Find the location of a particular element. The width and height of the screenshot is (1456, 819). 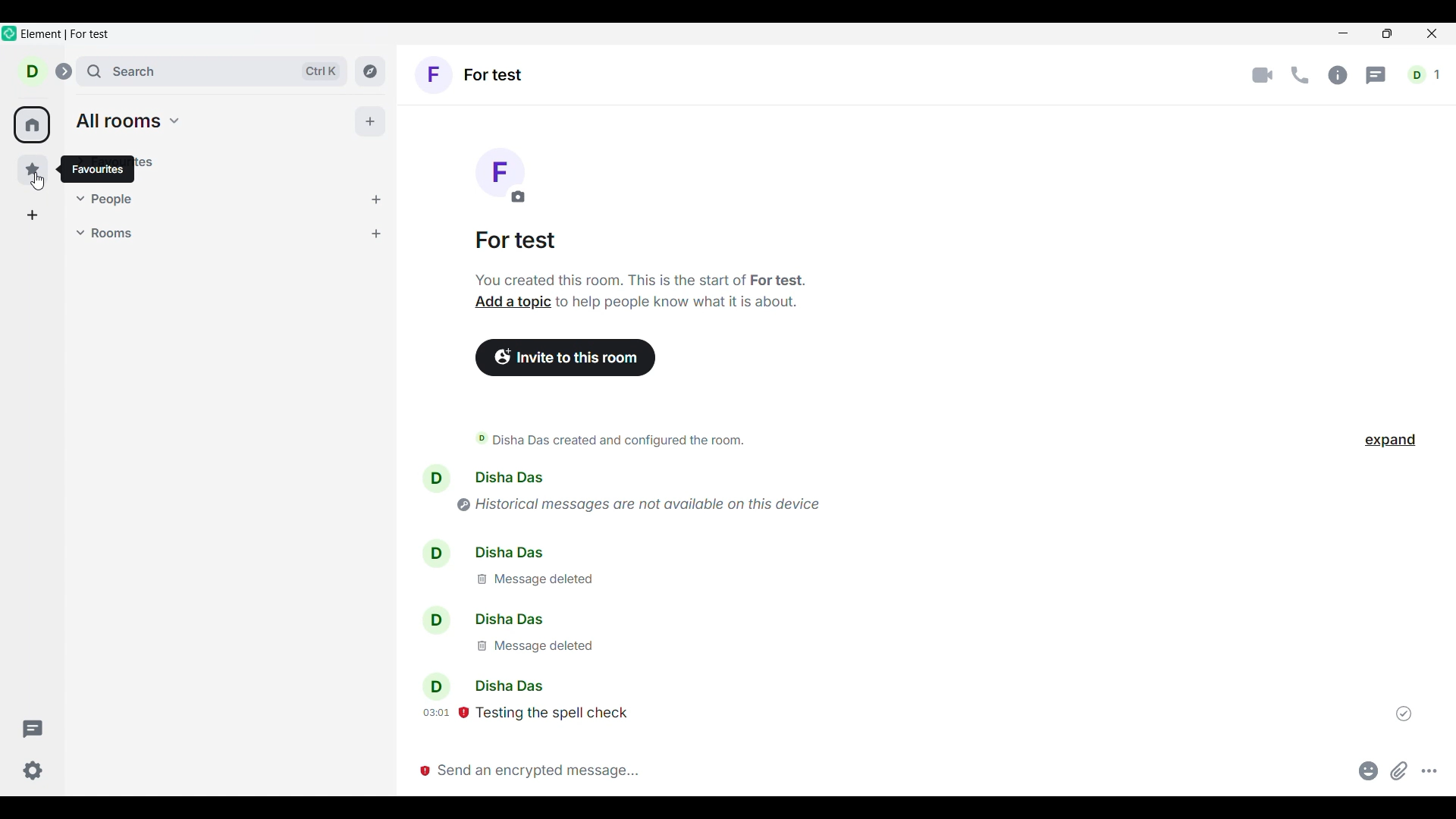

disha das is located at coordinates (493, 687).